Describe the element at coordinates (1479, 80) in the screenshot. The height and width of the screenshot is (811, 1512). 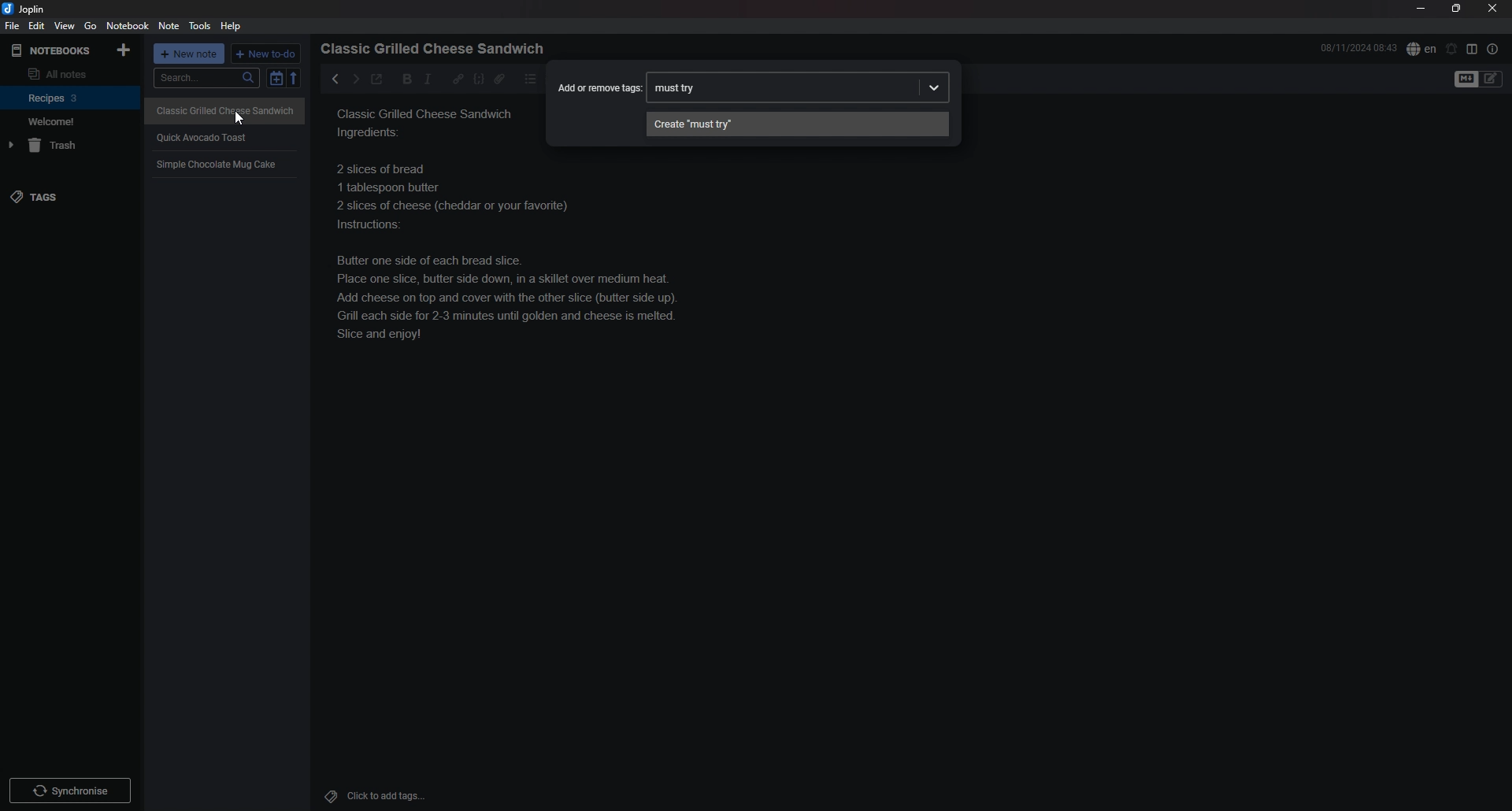
I see `toggle editor` at that location.